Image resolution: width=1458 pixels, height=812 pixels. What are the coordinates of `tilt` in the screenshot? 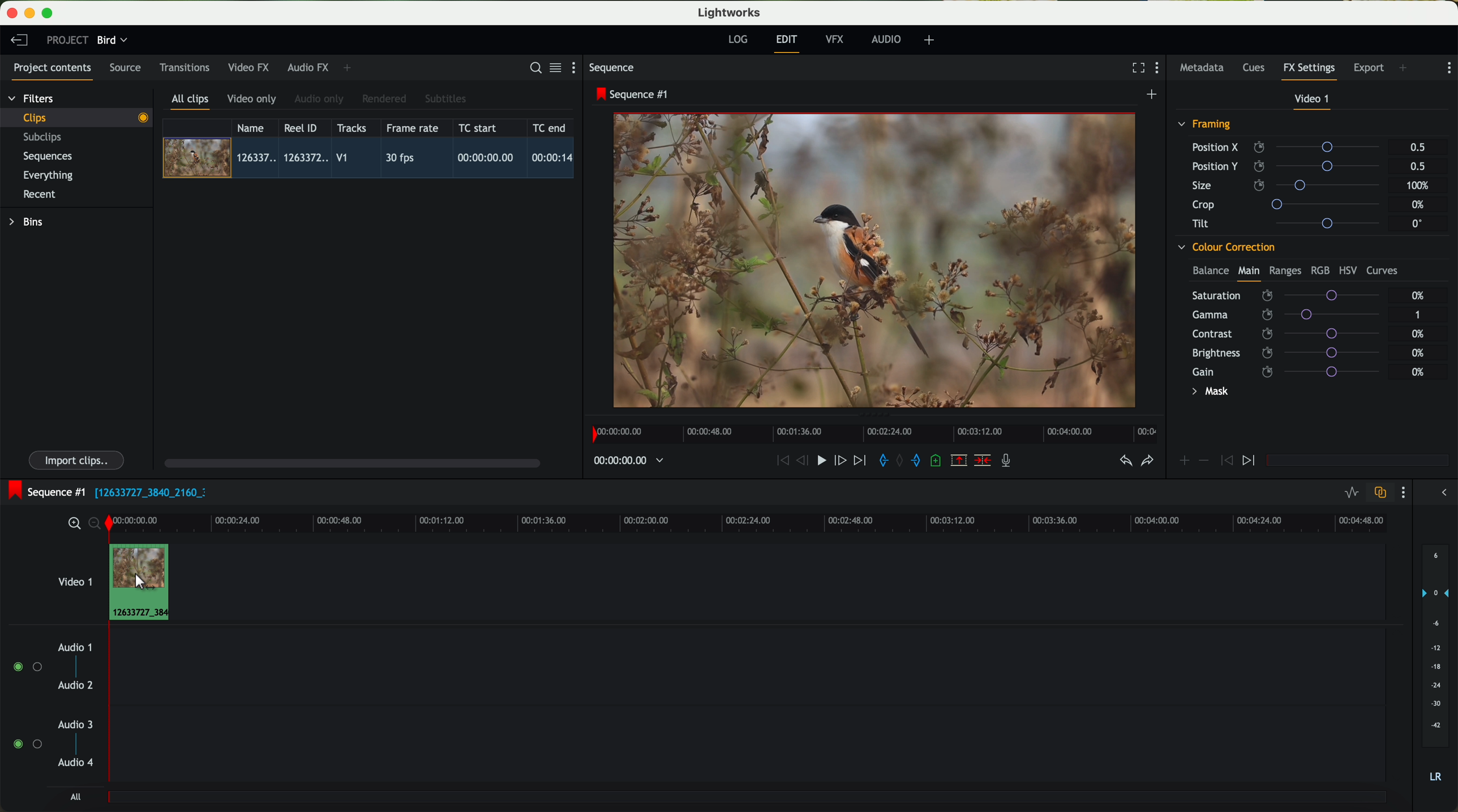 It's located at (1291, 223).